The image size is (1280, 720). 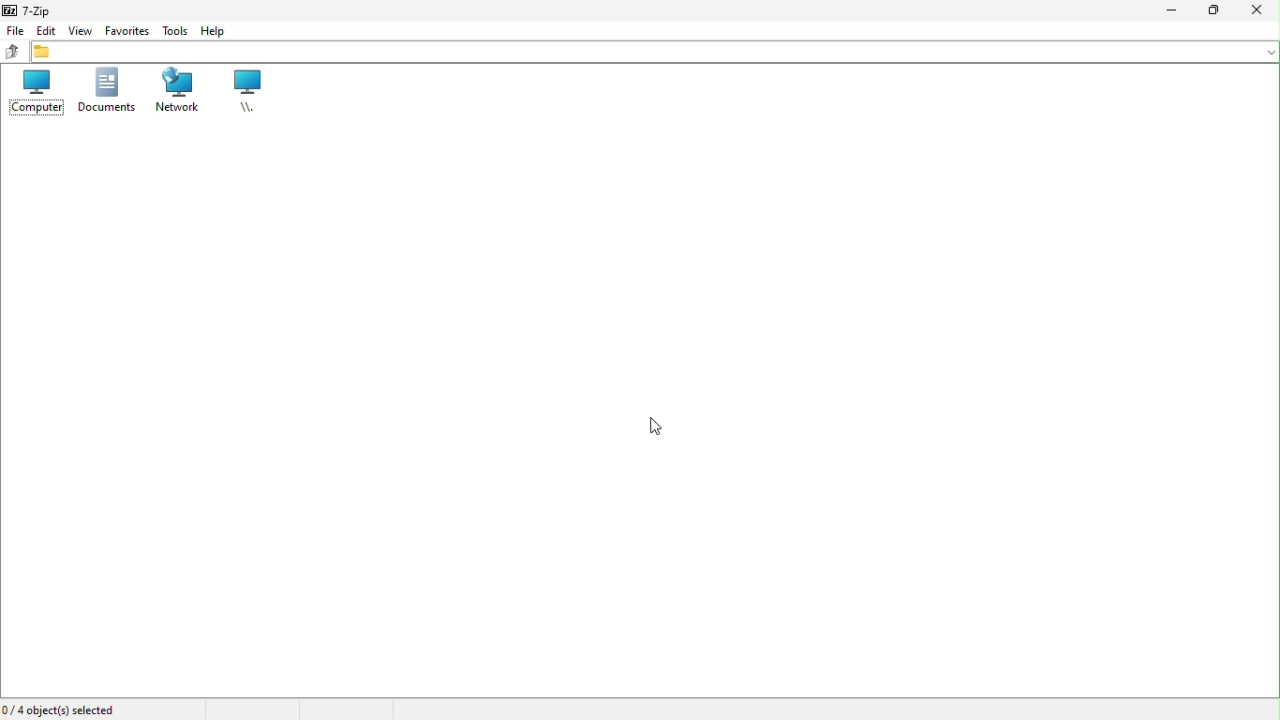 I want to click on Computer, so click(x=31, y=96).